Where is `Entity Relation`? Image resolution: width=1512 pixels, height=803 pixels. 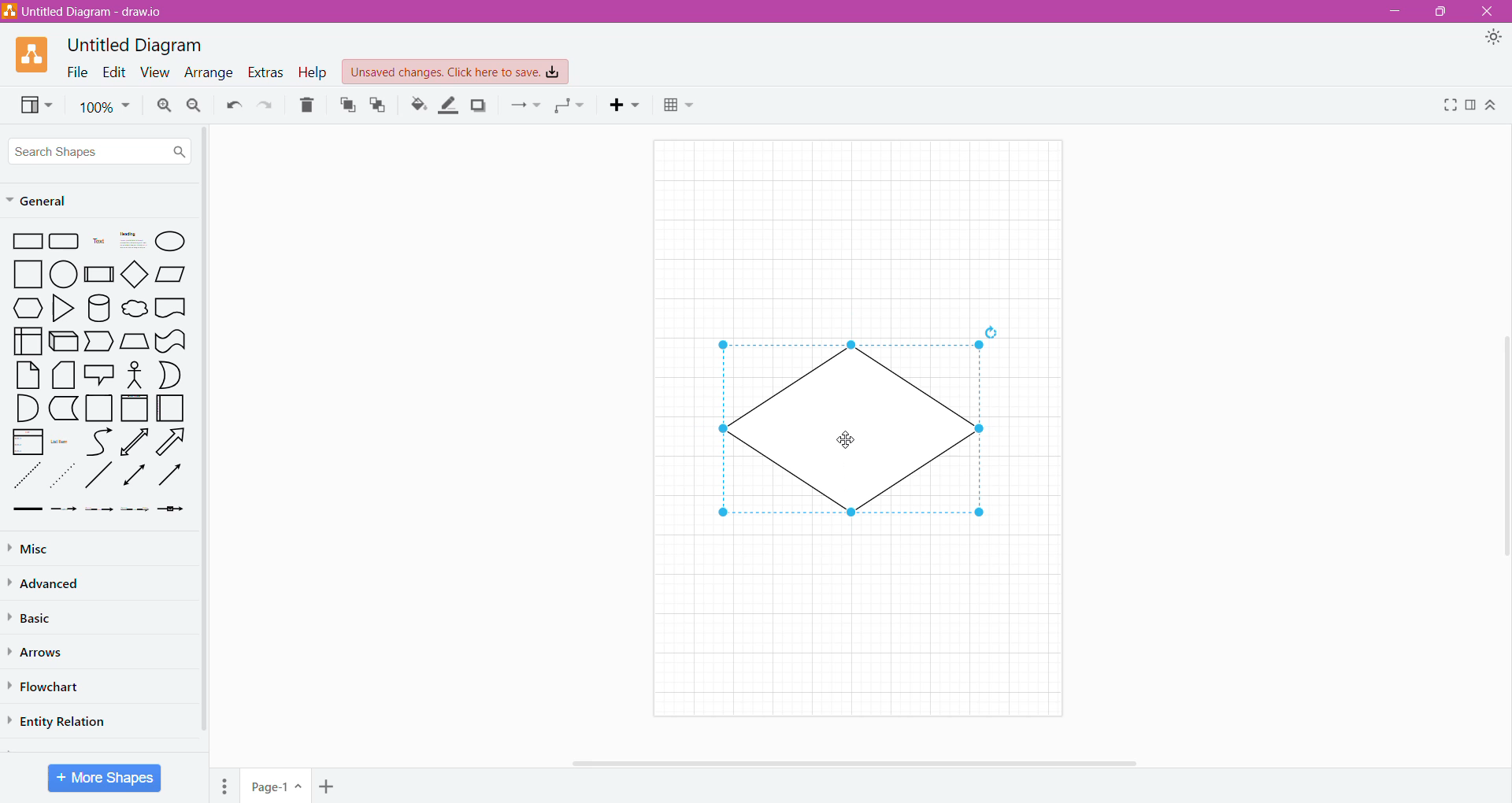 Entity Relation is located at coordinates (61, 720).